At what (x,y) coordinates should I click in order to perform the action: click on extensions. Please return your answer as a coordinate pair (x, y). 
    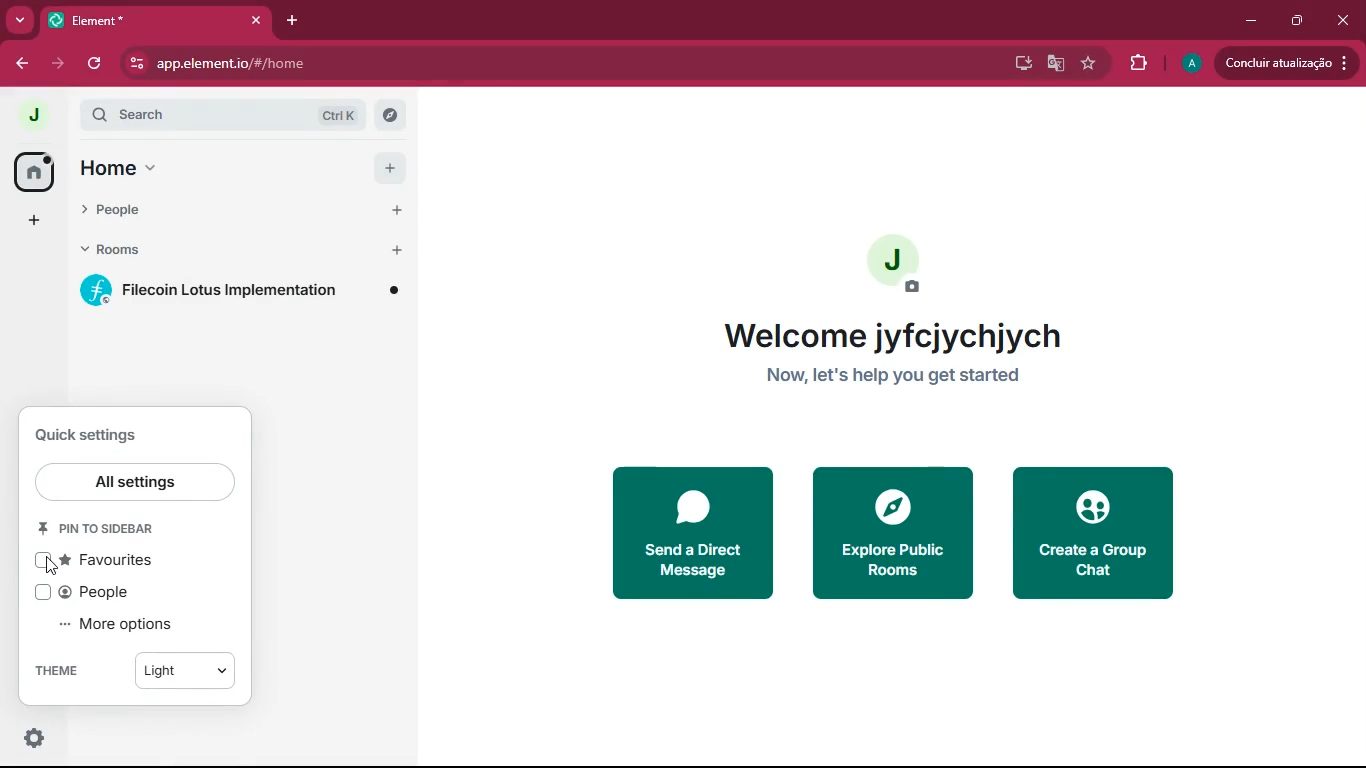
    Looking at the image, I should click on (1136, 63).